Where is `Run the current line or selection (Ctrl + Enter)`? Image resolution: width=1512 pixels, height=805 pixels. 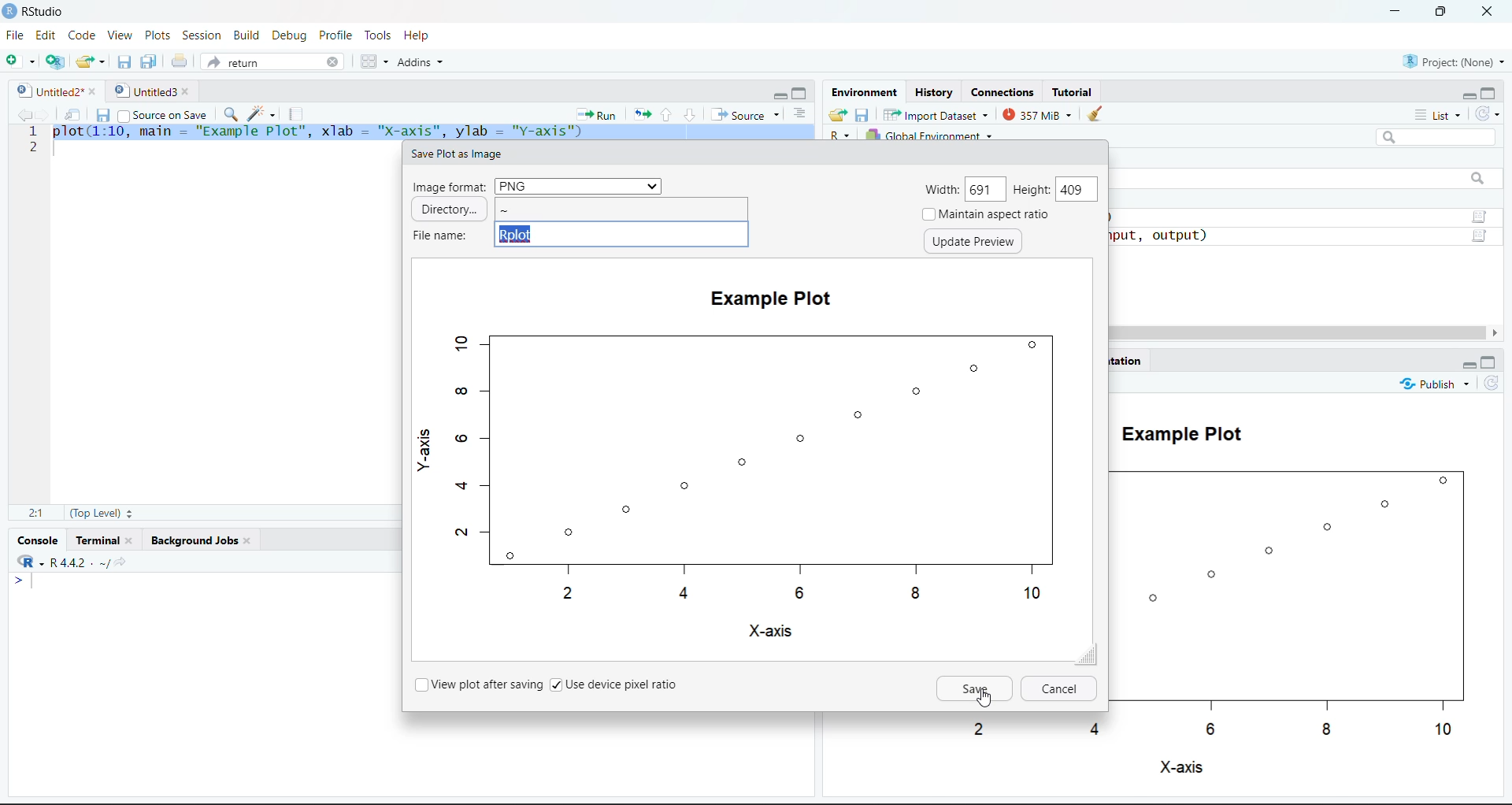
Run the current line or selection (Ctrl + Enter) is located at coordinates (596, 113).